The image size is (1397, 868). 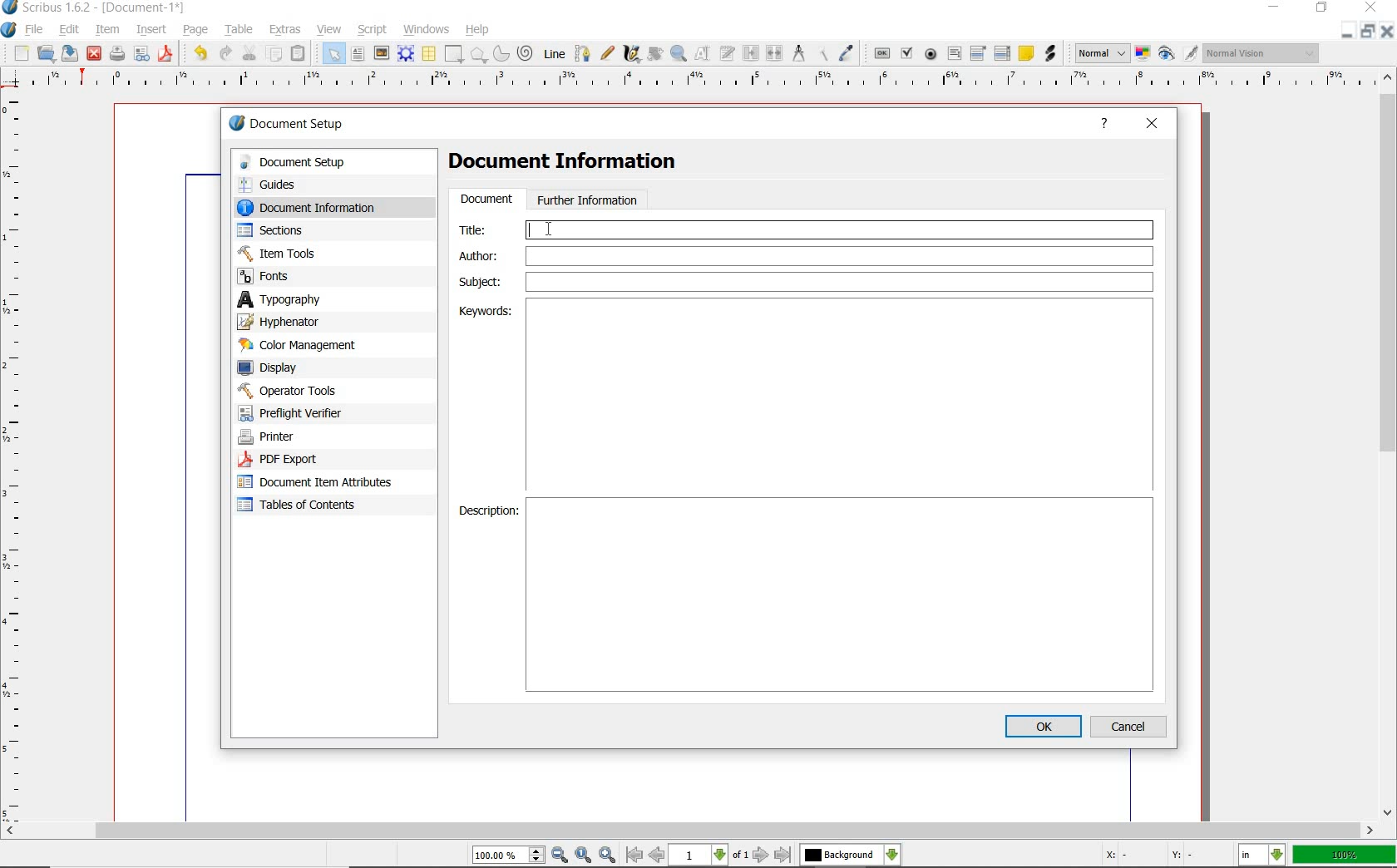 What do you see at coordinates (239, 29) in the screenshot?
I see `table` at bounding box center [239, 29].